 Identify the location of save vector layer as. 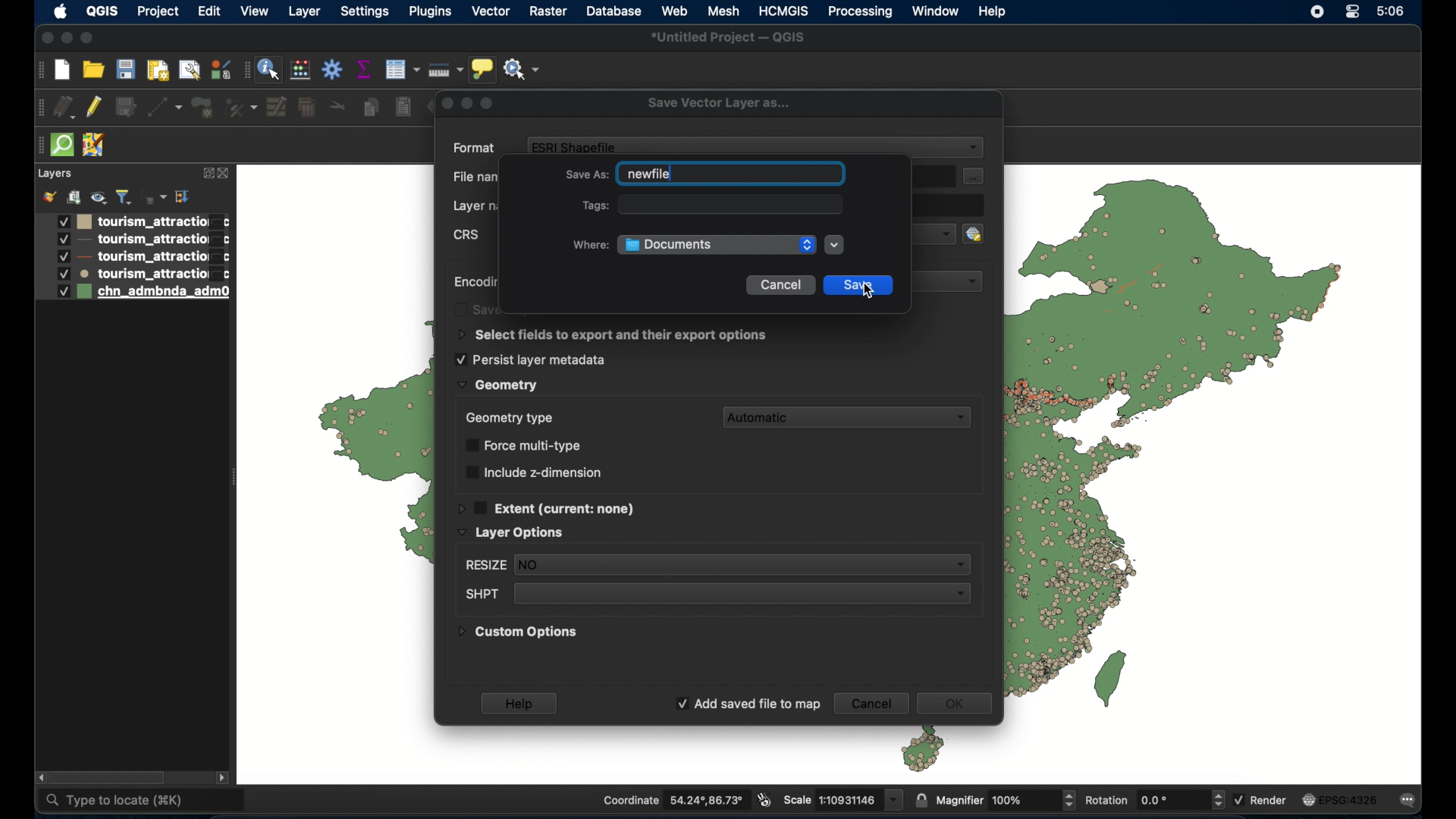
(718, 104).